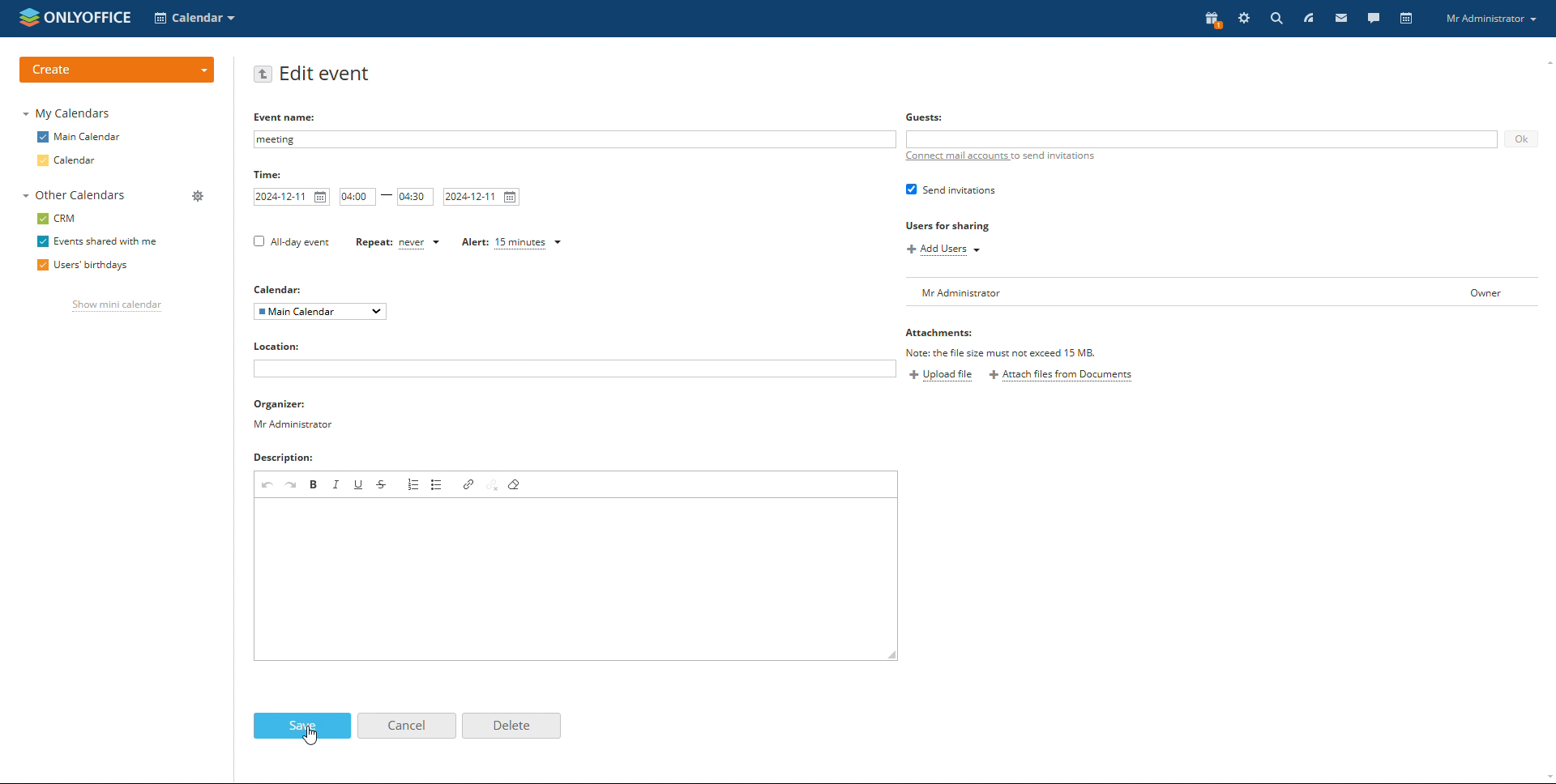 This screenshot has height=784, width=1556. What do you see at coordinates (327, 74) in the screenshot?
I see `edit event` at bounding box center [327, 74].